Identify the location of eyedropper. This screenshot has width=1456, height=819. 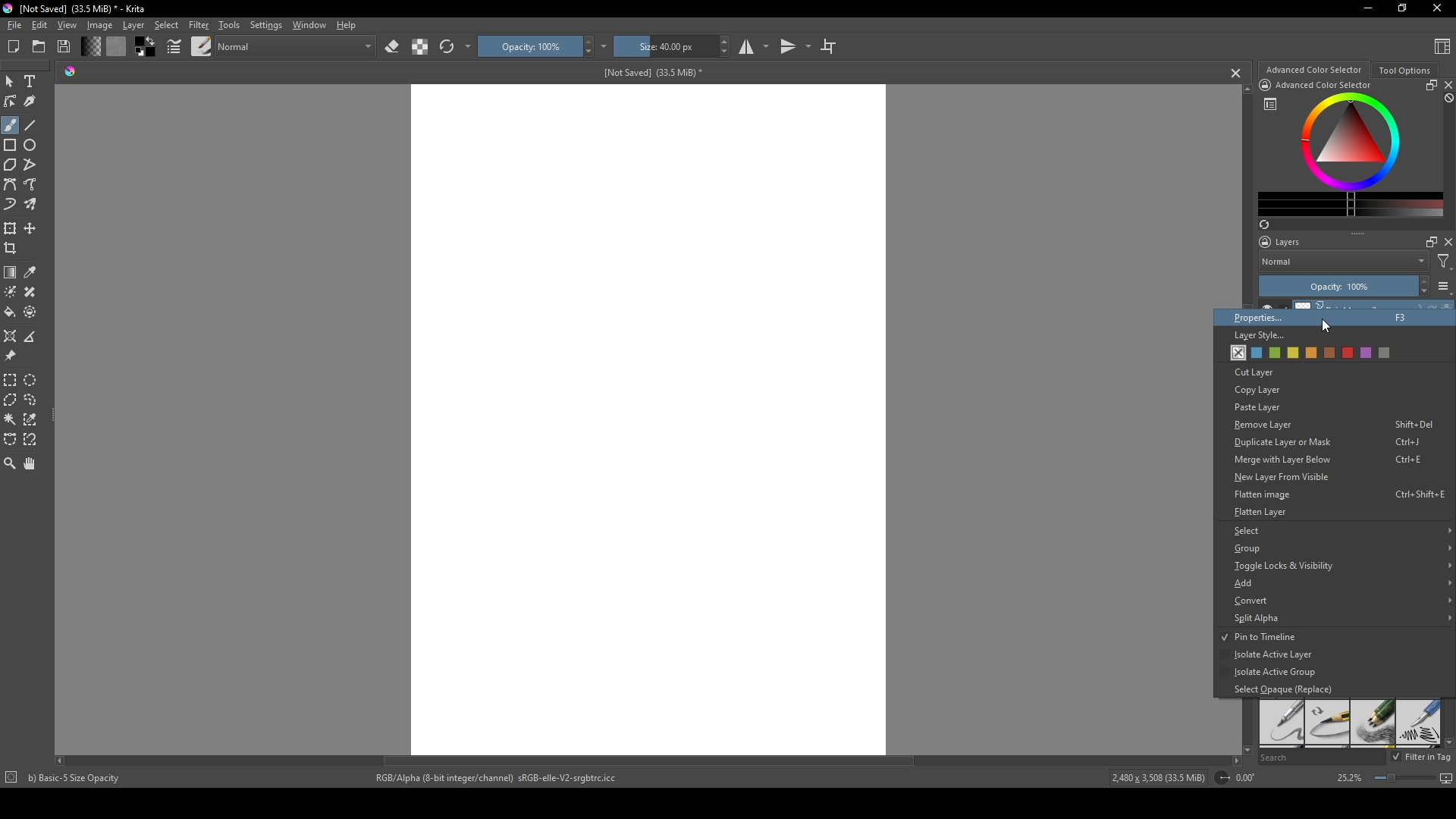
(32, 272).